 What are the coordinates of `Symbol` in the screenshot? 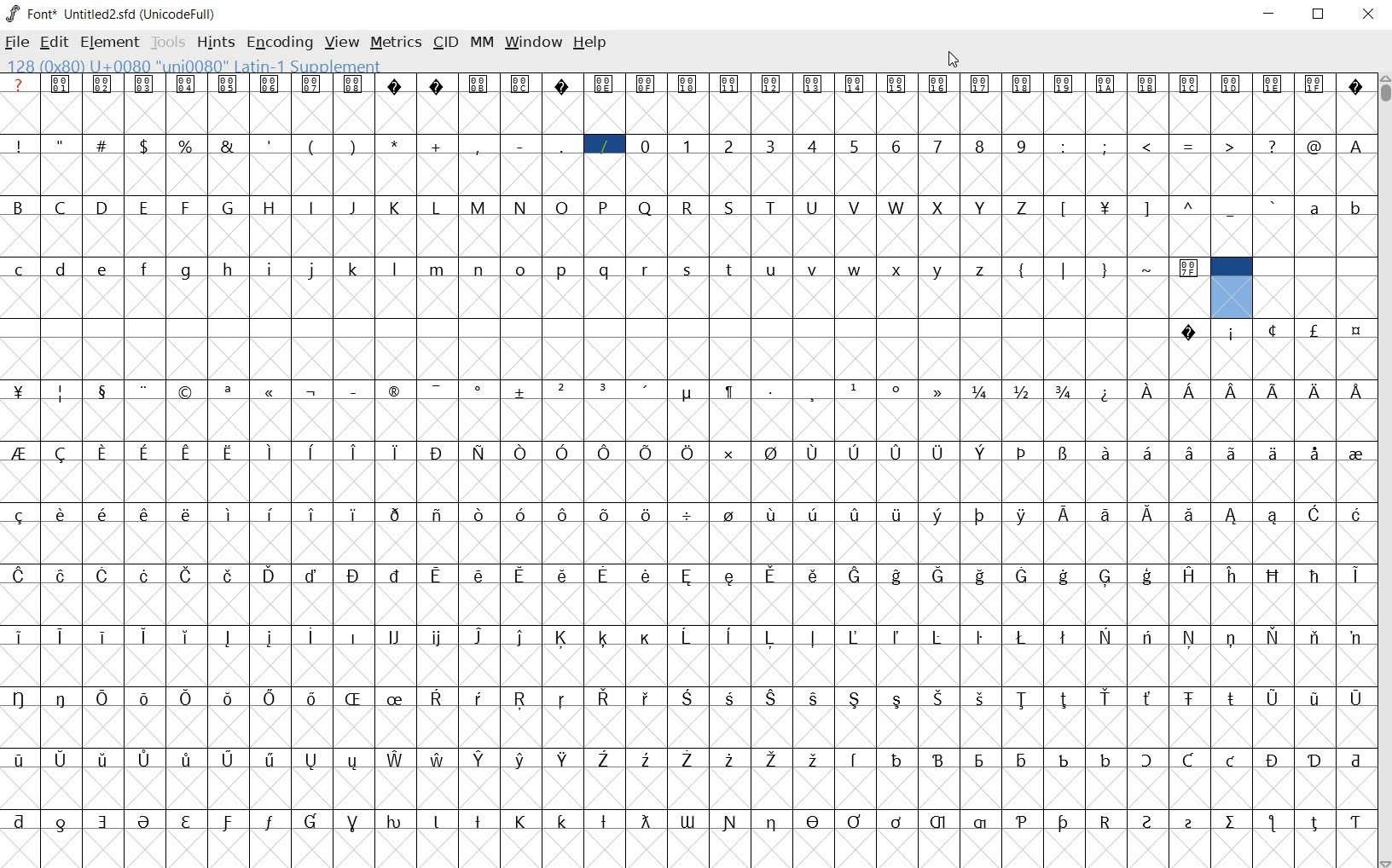 It's located at (229, 390).